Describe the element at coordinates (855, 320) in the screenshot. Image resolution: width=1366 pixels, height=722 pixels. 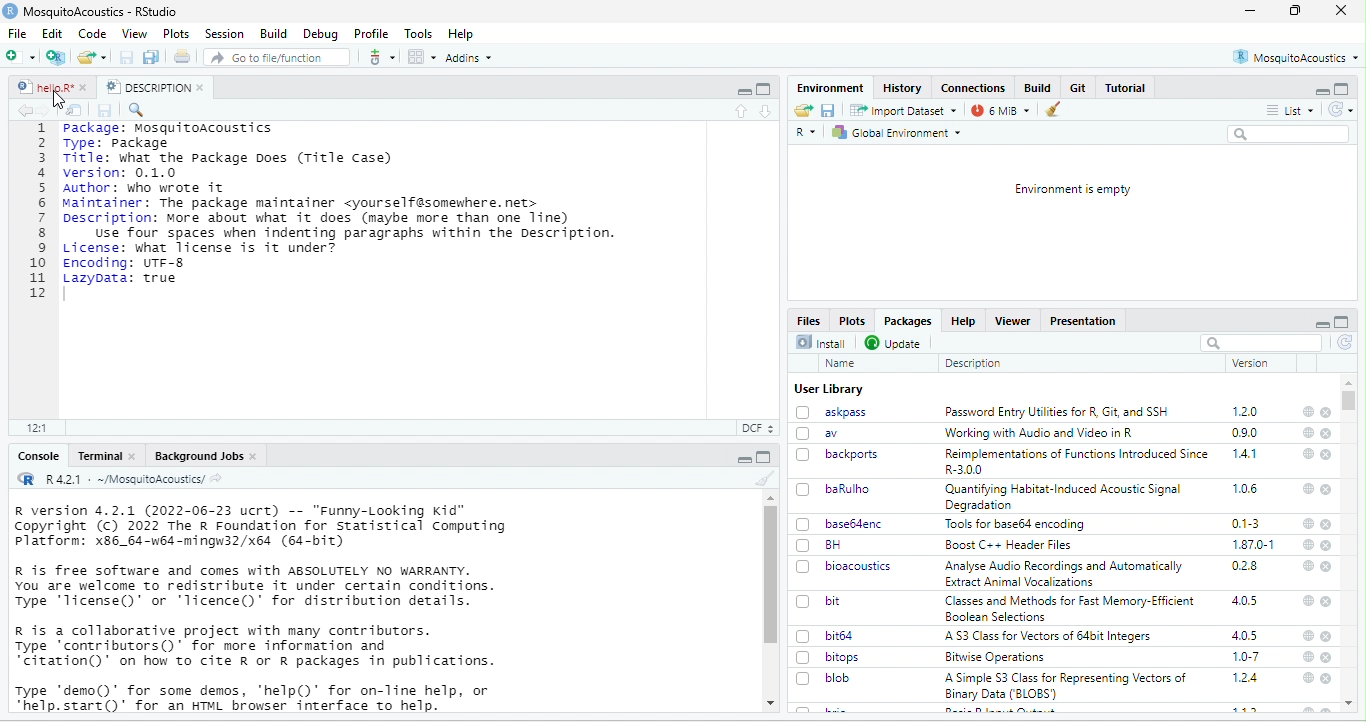
I see `Plots` at that location.